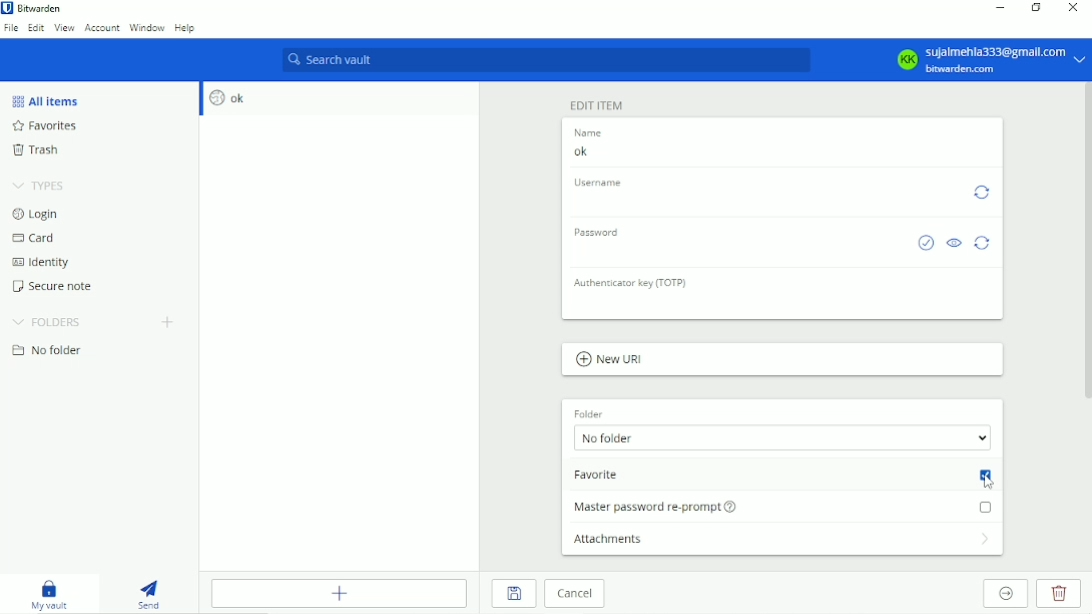  What do you see at coordinates (601, 104) in the screenshot?
I see `Edit item` at bounding box center [601, 104].